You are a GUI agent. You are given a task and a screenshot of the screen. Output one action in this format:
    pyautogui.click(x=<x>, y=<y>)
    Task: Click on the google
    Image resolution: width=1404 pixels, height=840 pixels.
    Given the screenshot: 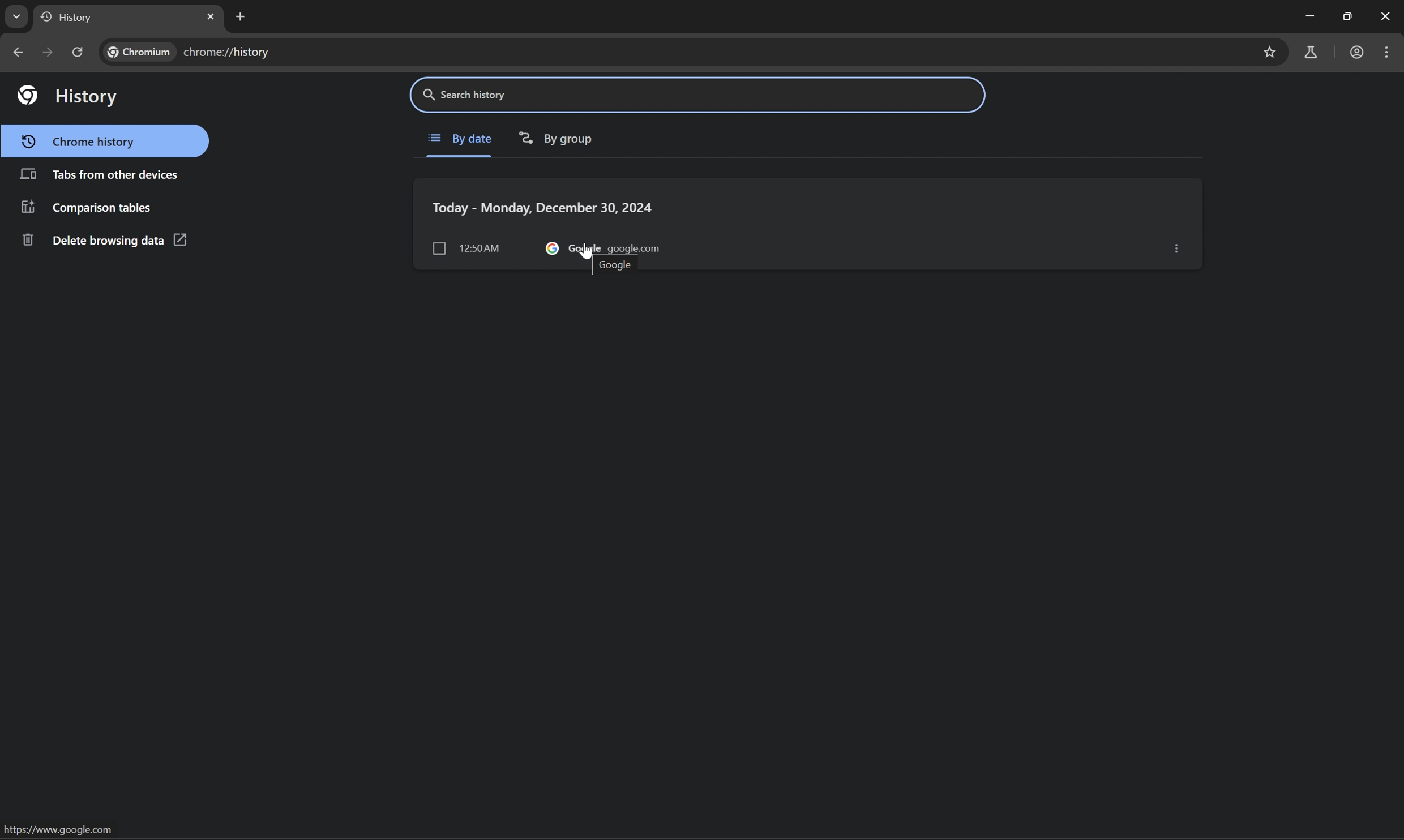 What is the action you would take?
    pyautogui.click(x=572, y=247)
    